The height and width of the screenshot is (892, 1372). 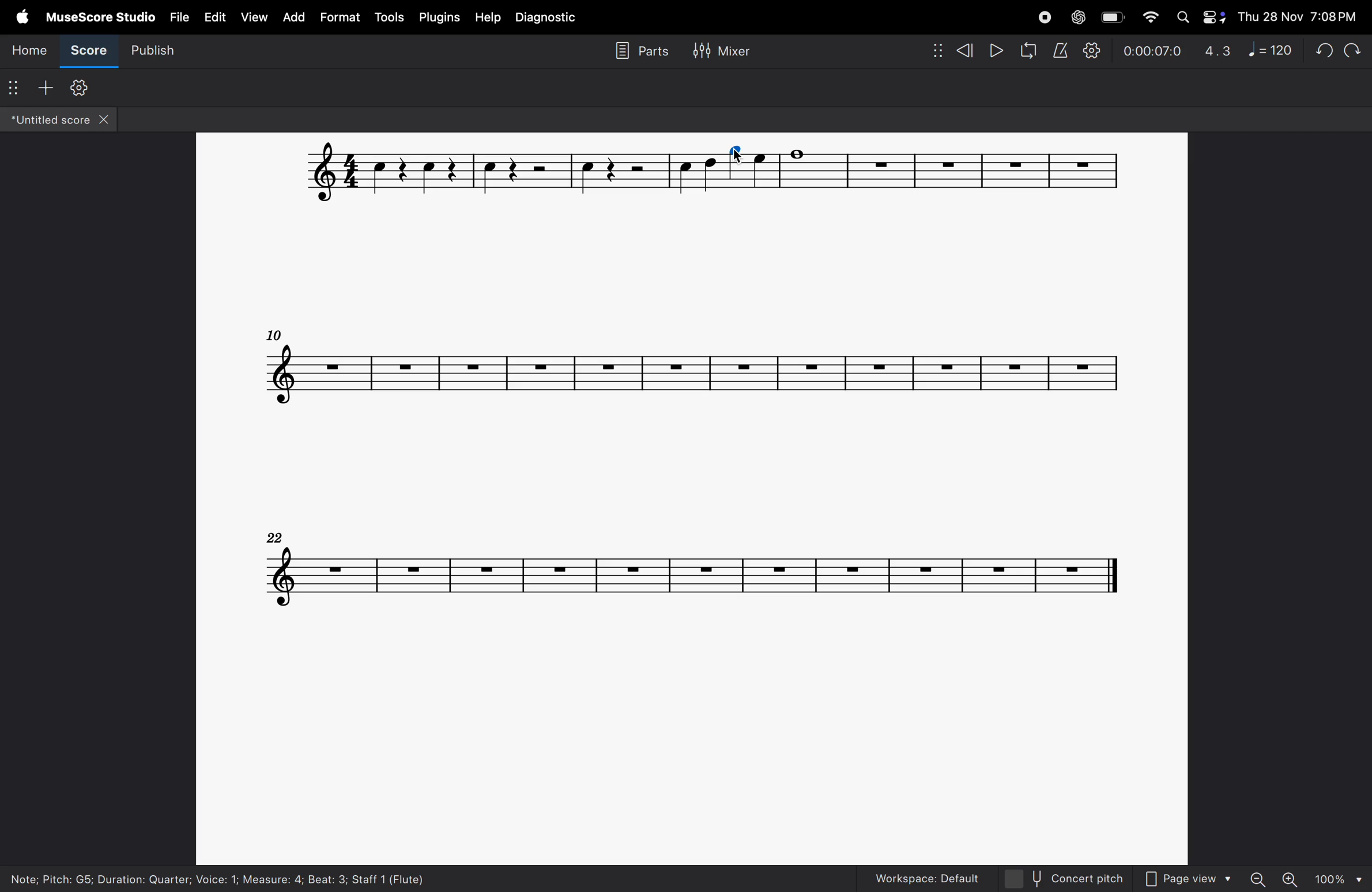 I want to click on apple widgets, so click(x=1197, y=18).